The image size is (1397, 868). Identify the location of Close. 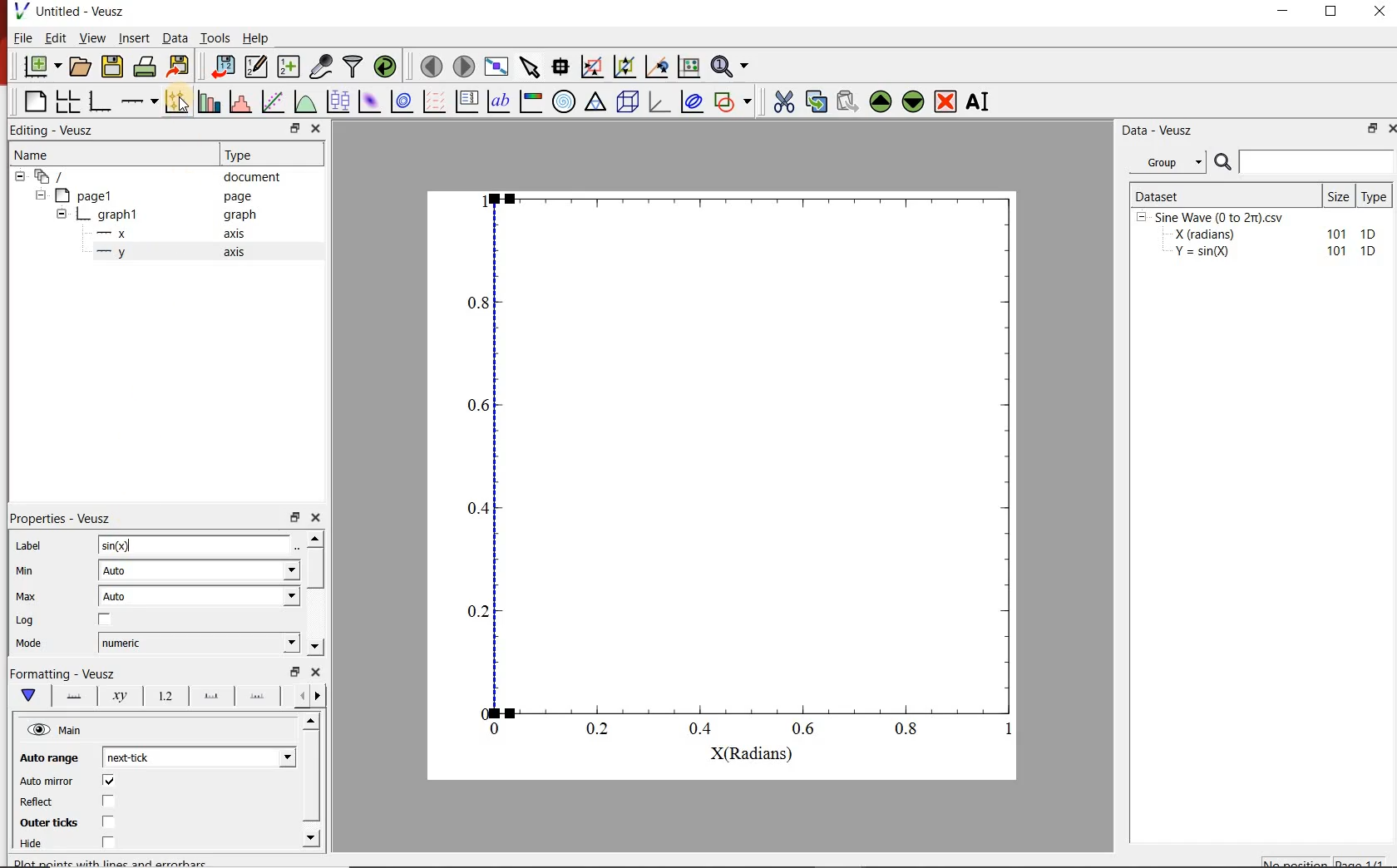
(1389, 131).